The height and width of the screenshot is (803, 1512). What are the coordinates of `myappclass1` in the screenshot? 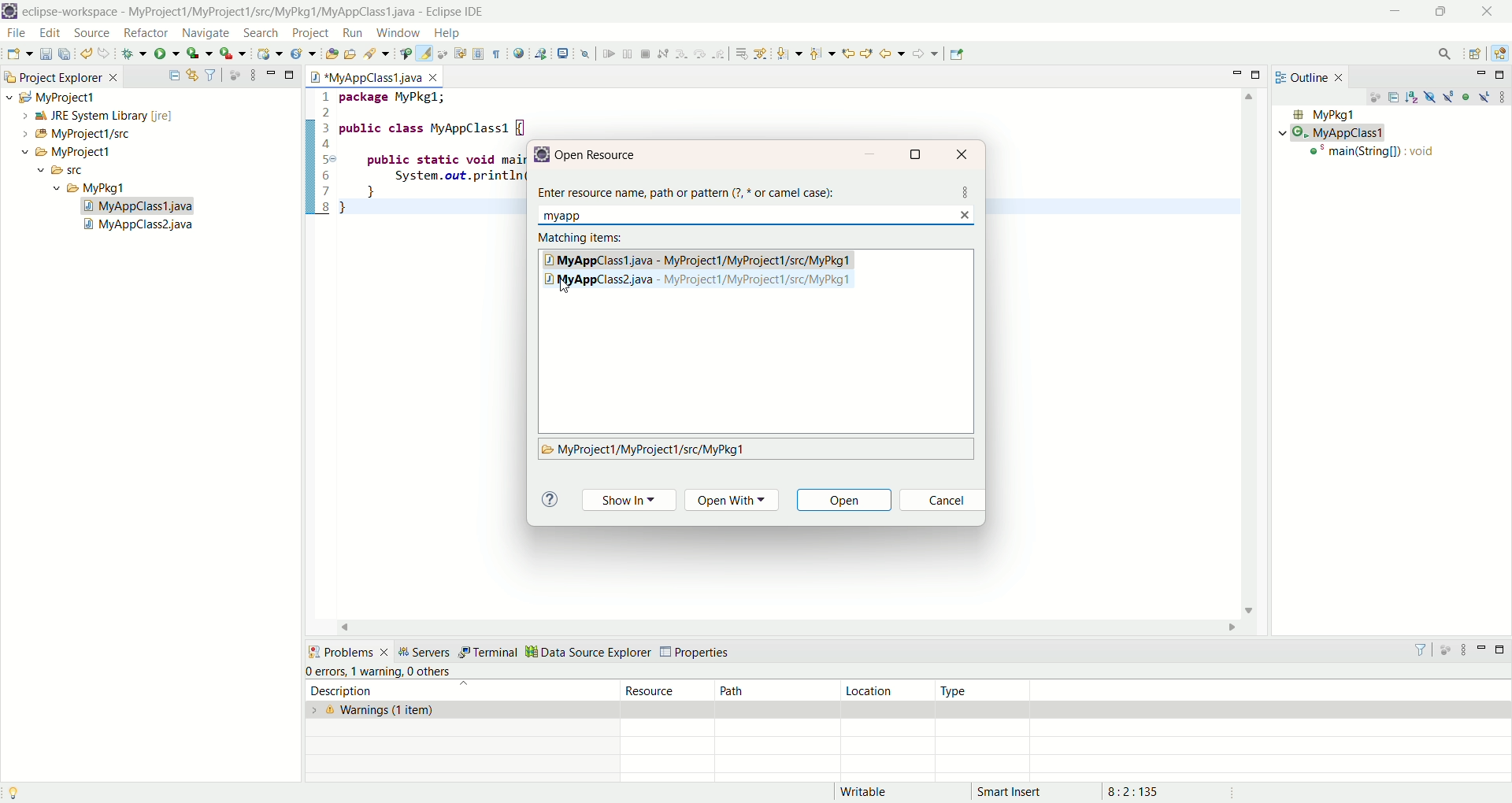 It's located at (1336, 133).